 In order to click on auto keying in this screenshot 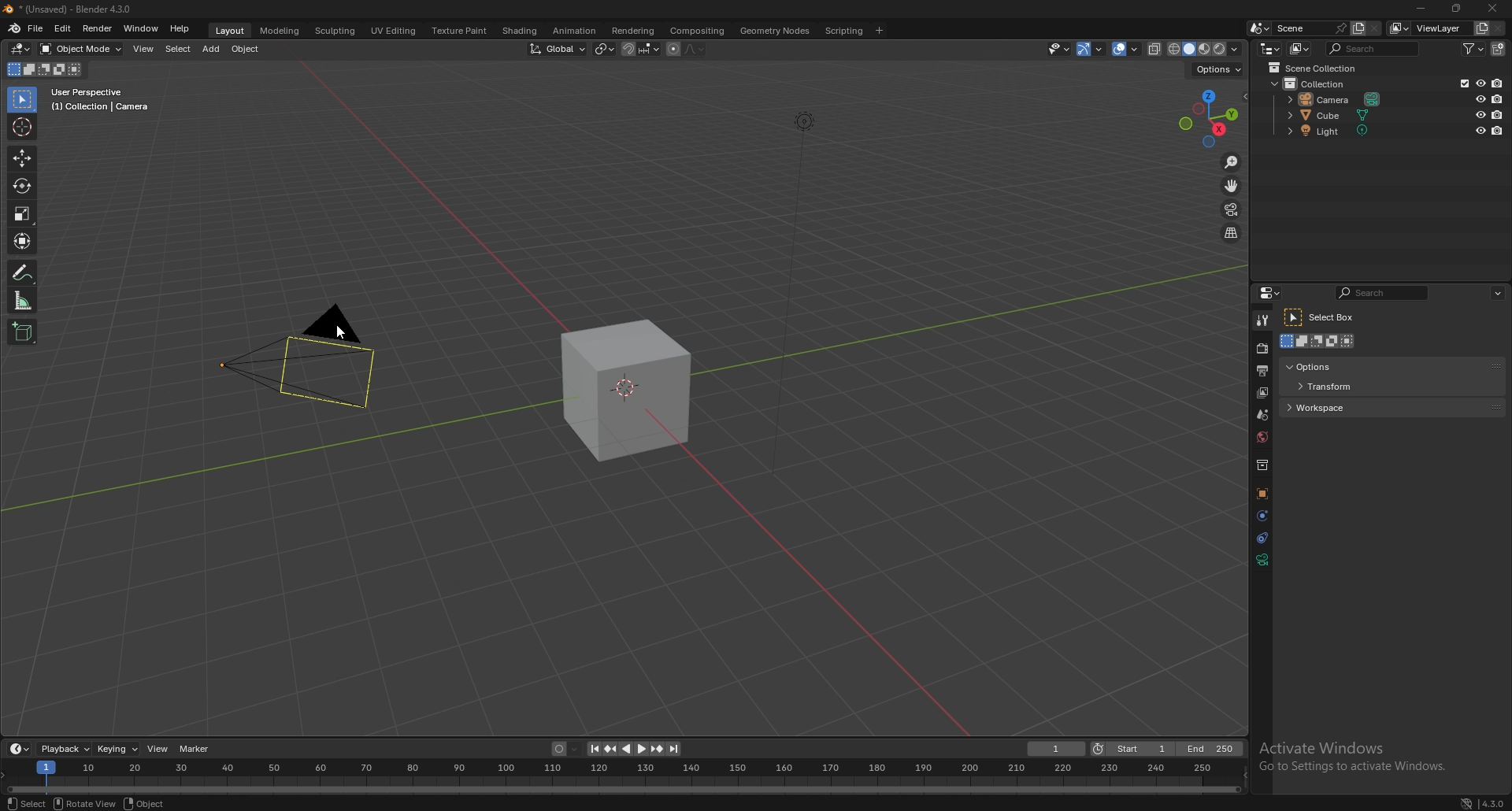, I will do `click(565, 749)`.